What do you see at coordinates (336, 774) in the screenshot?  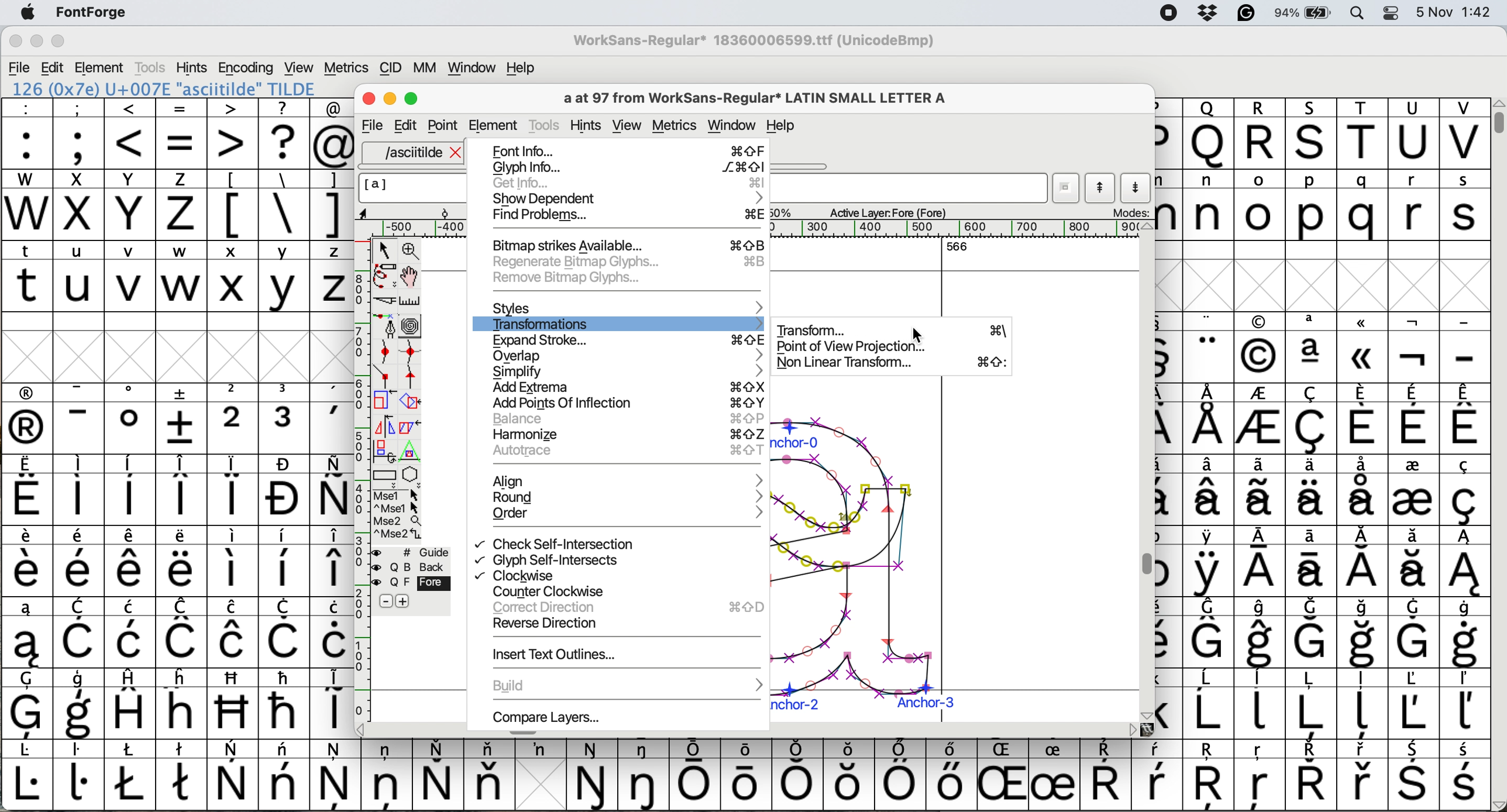 I see `symbol` at bounding box center [336, 774].